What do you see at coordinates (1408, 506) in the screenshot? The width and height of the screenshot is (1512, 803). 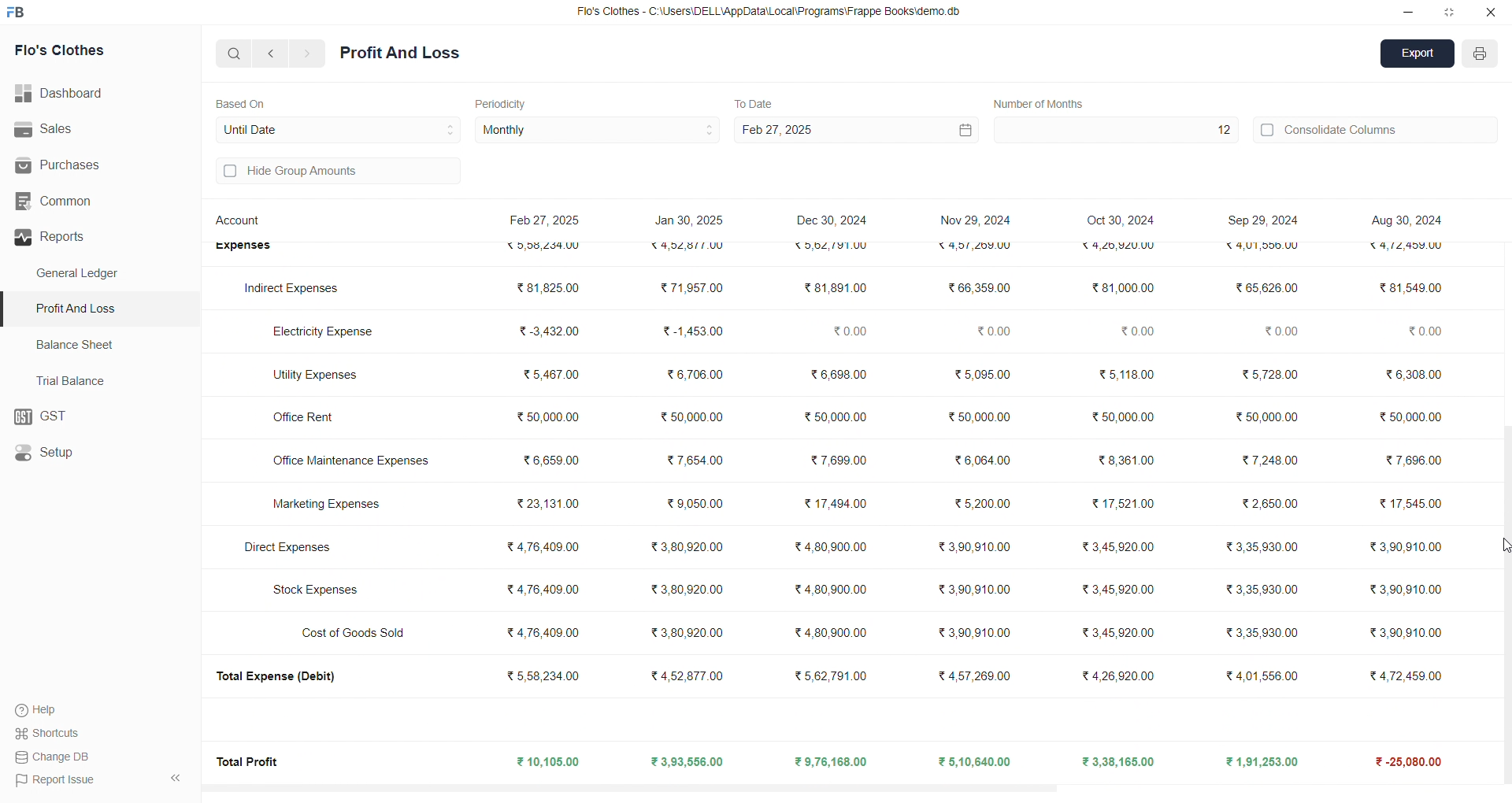 I see `17 545 00` at bounding box center [1408, 506].